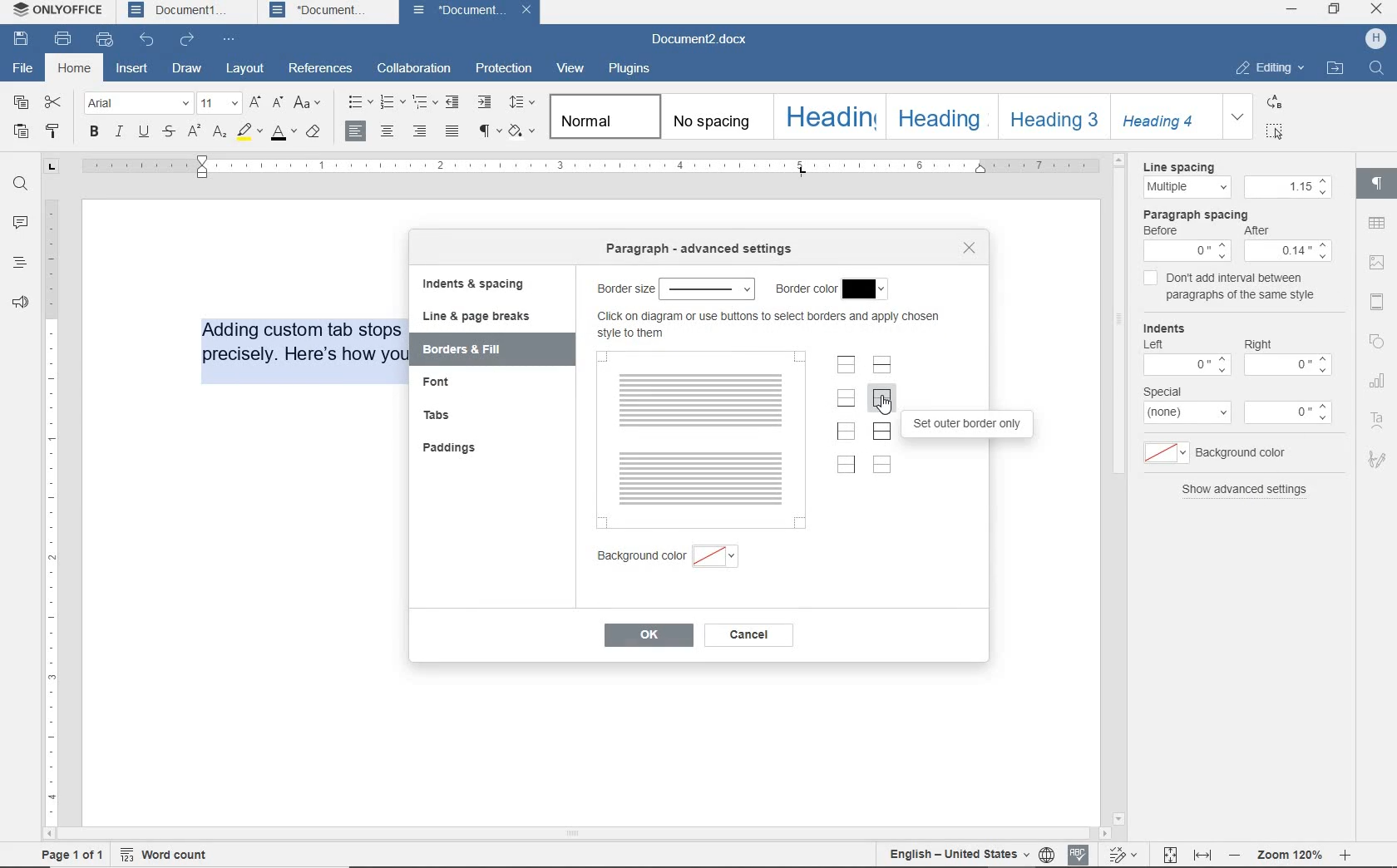 This screenshot has width=1397, height=868. What do you see at coordinates (51, 131) in the screenshot?
I see `copy style` at bounding box center [51, 131].